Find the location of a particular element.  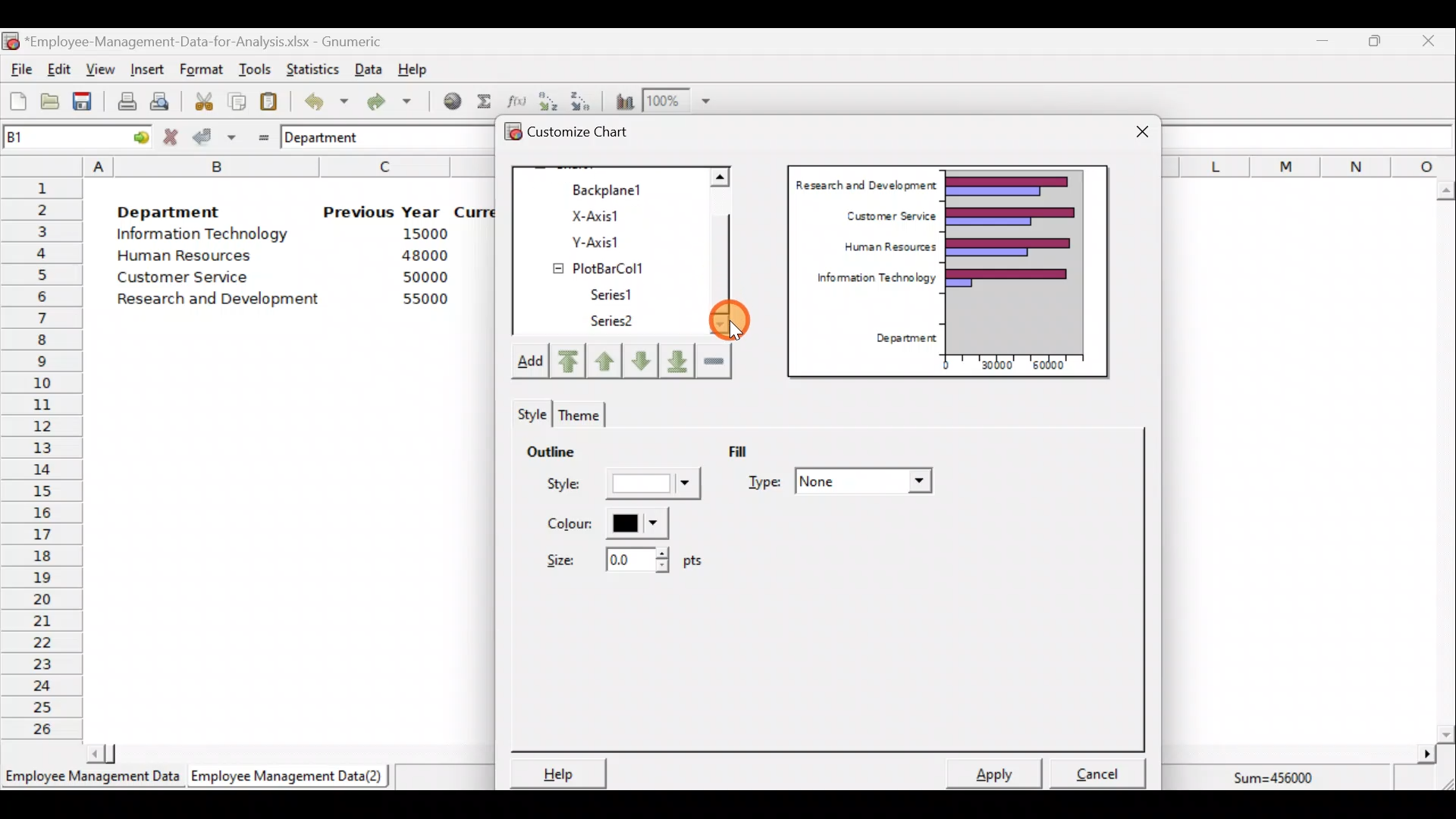

Chart preview is located at coordinates (1025, 261).